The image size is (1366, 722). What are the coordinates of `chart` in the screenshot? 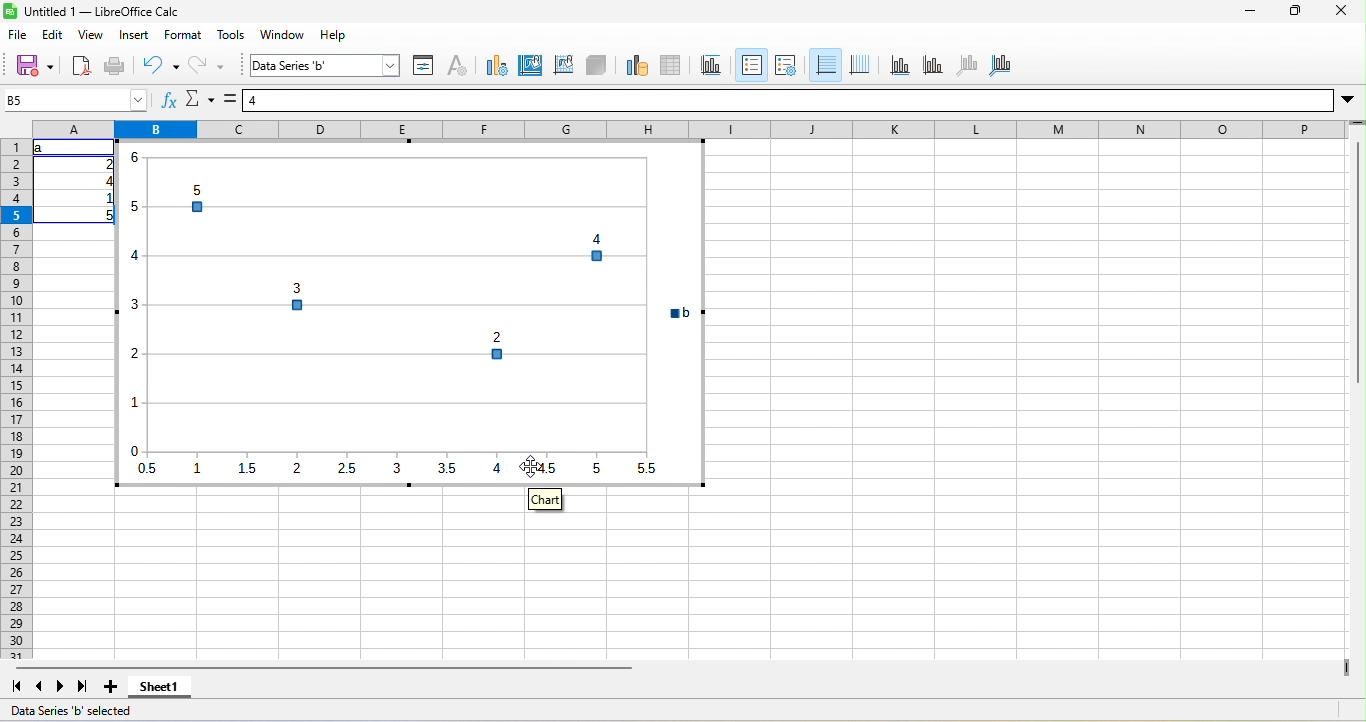 It's located at (546, 499).